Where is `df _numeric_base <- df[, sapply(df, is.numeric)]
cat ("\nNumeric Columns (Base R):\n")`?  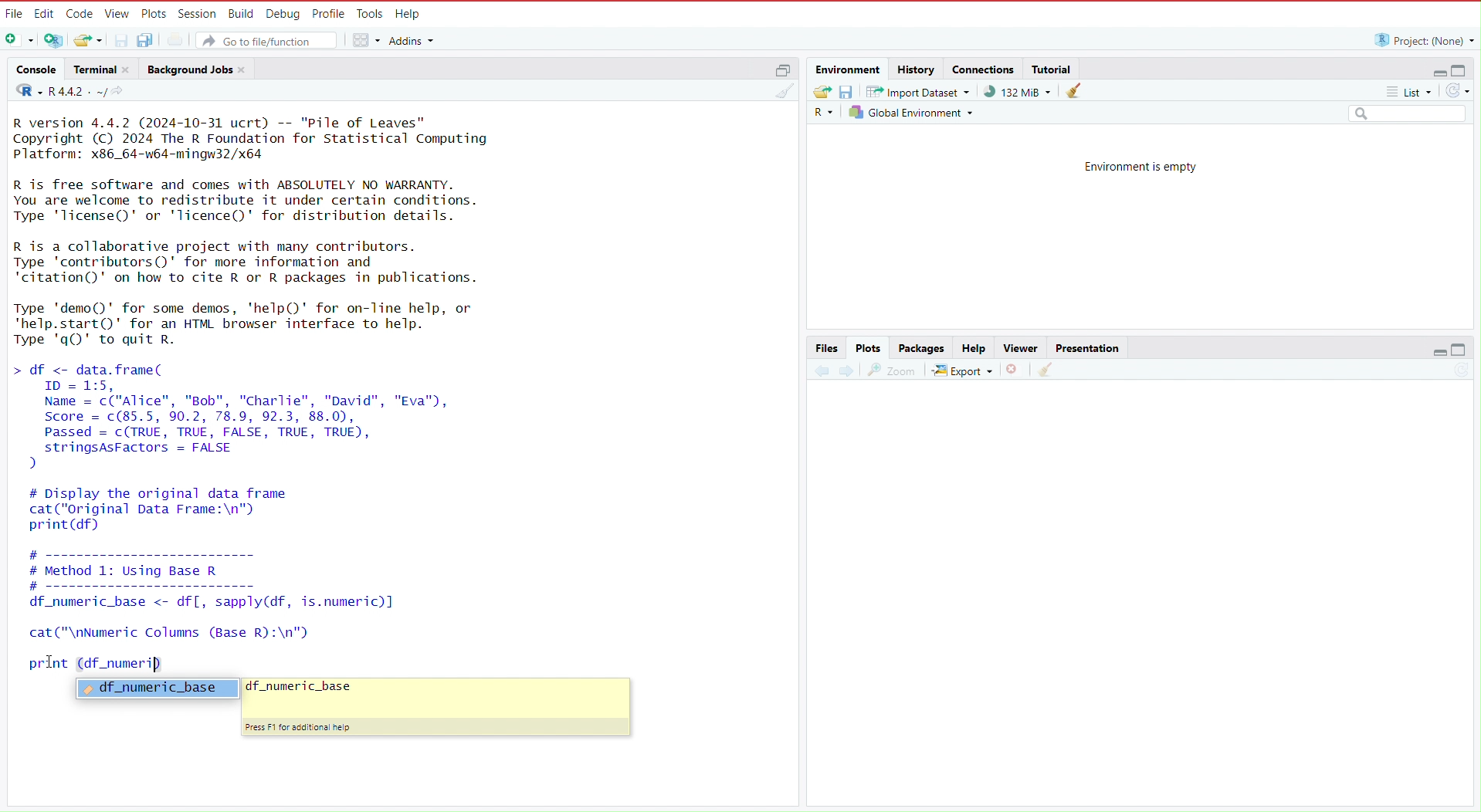 df _numeric_base <- df[, sapply(df, is.numeric)]
cat ("\nNumeric Columns (Base R):\n") is located at coordinates (232, 618).